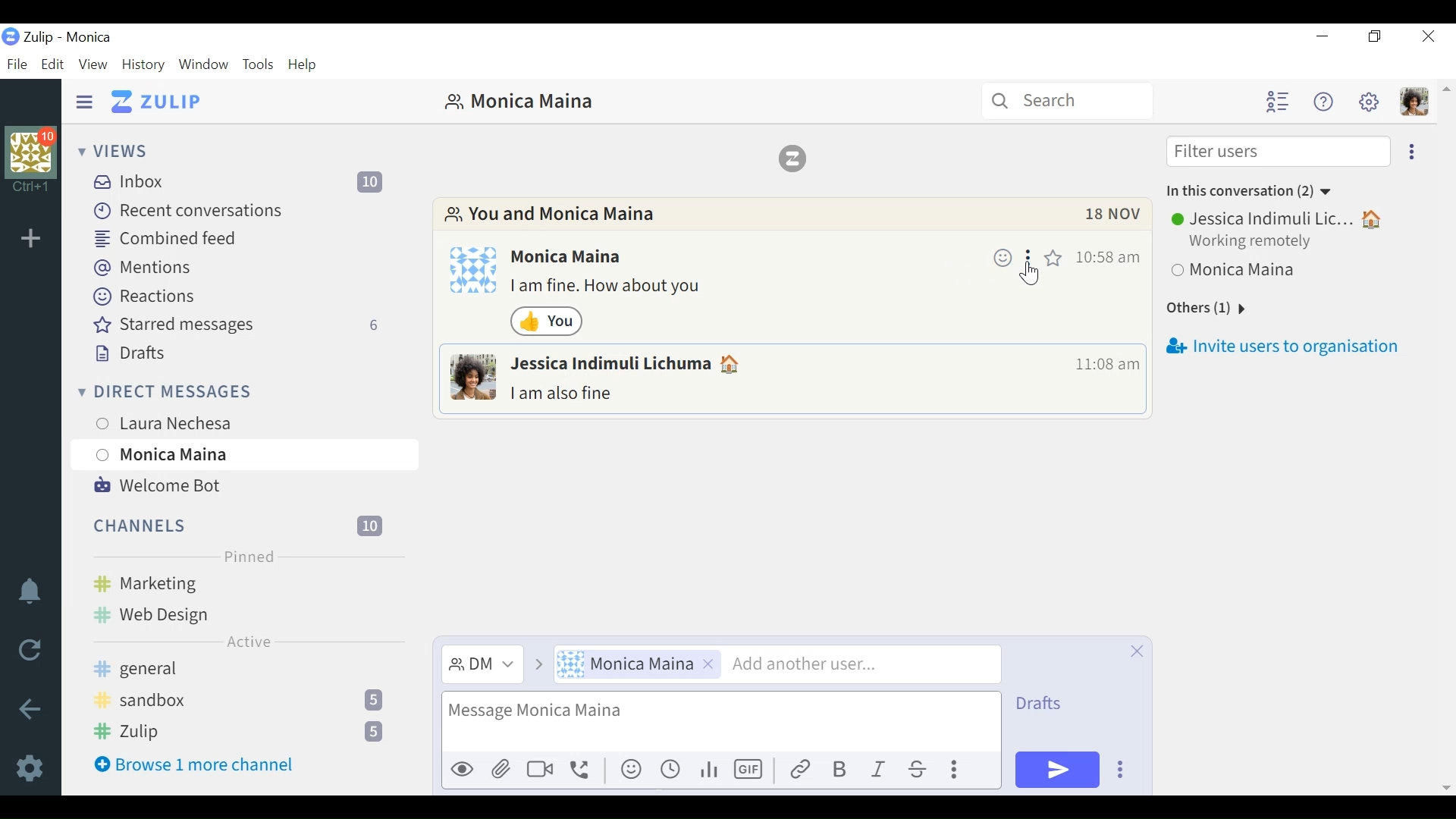  What do you see at coordinates (156, 101) in the screenshot?
I see `Go to Home View` at bounding box center [156, 101].